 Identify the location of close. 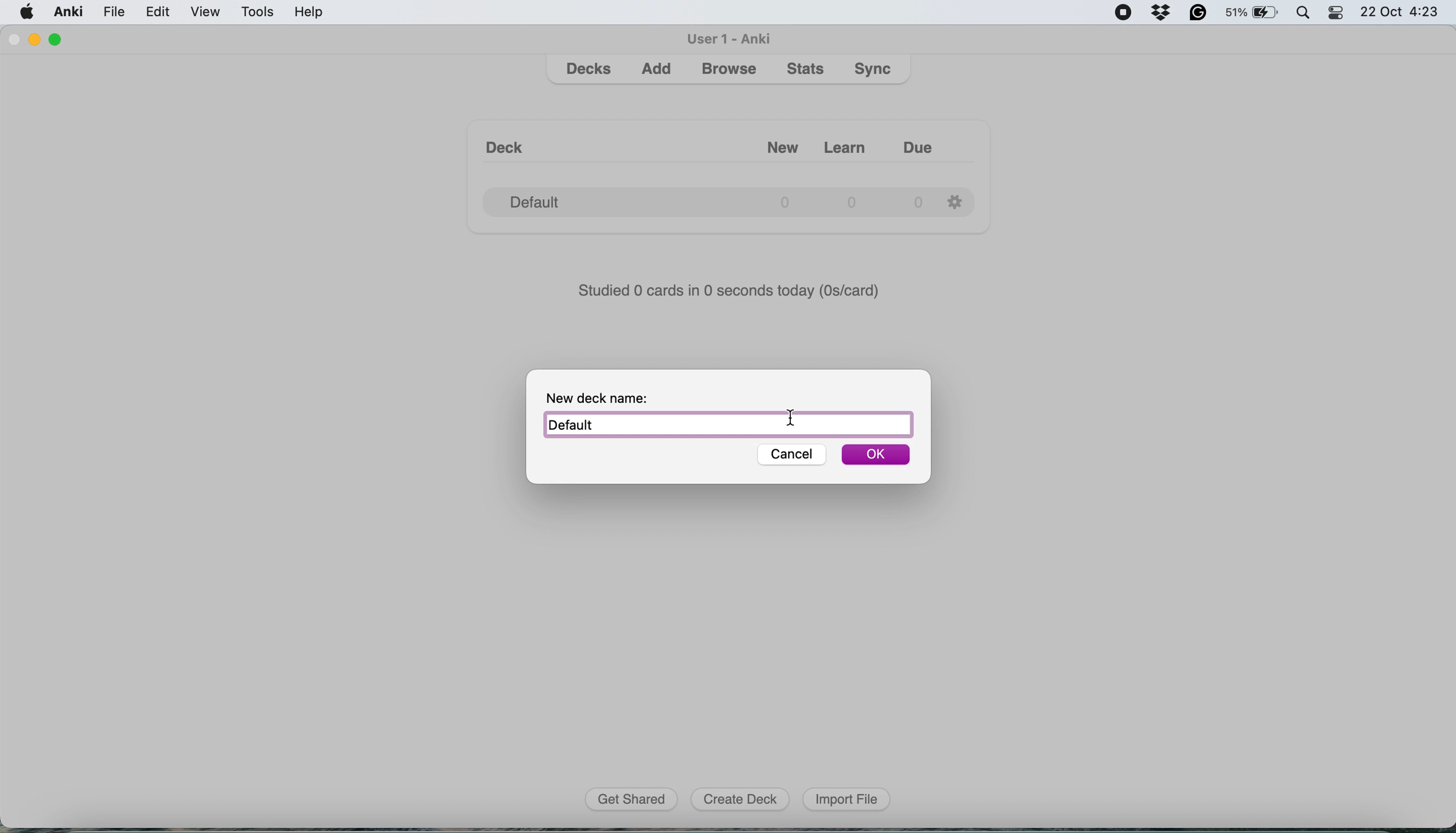
(15, 41).